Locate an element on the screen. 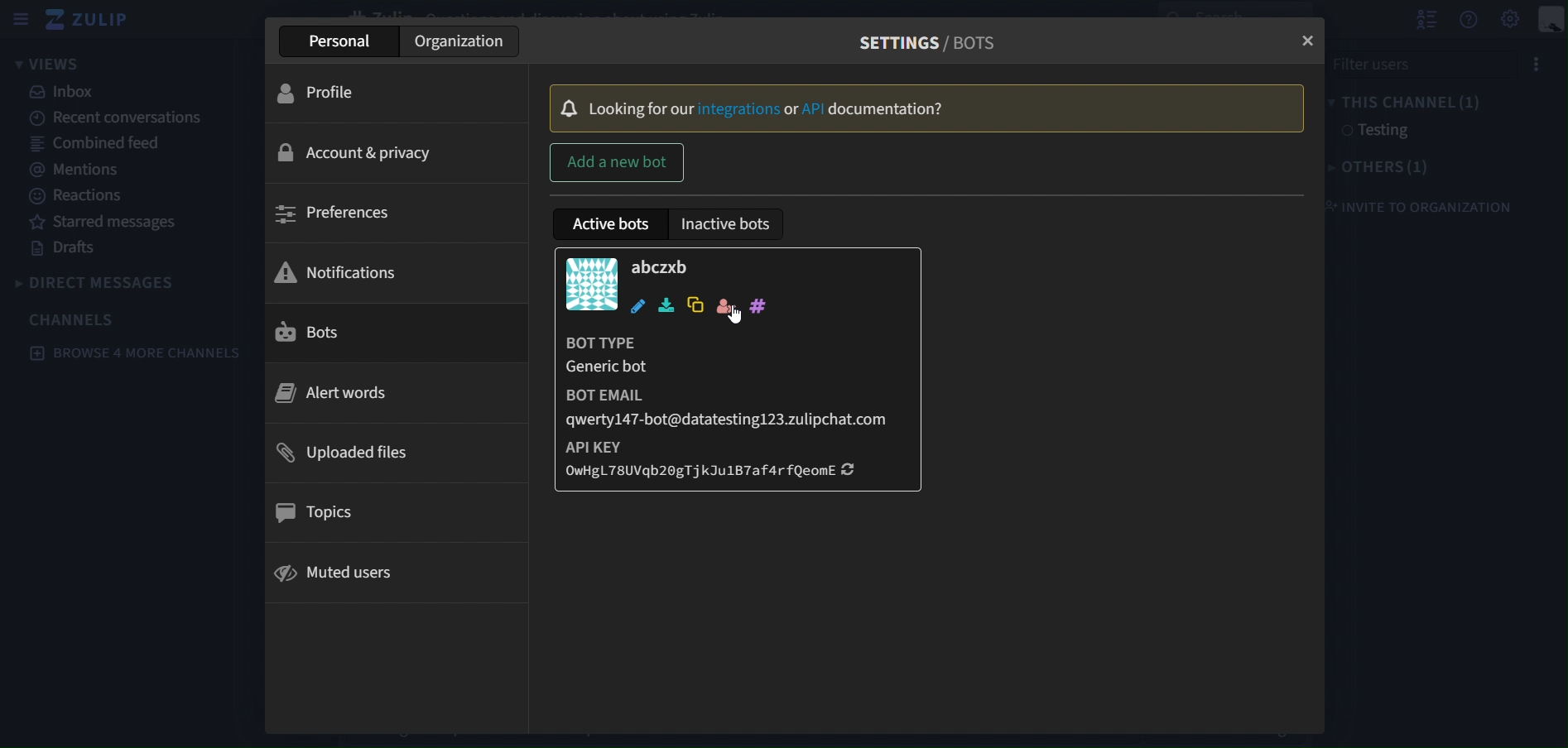 The width and height of the screenshot is (1568, 748). image is located at coordinates (592, 283).